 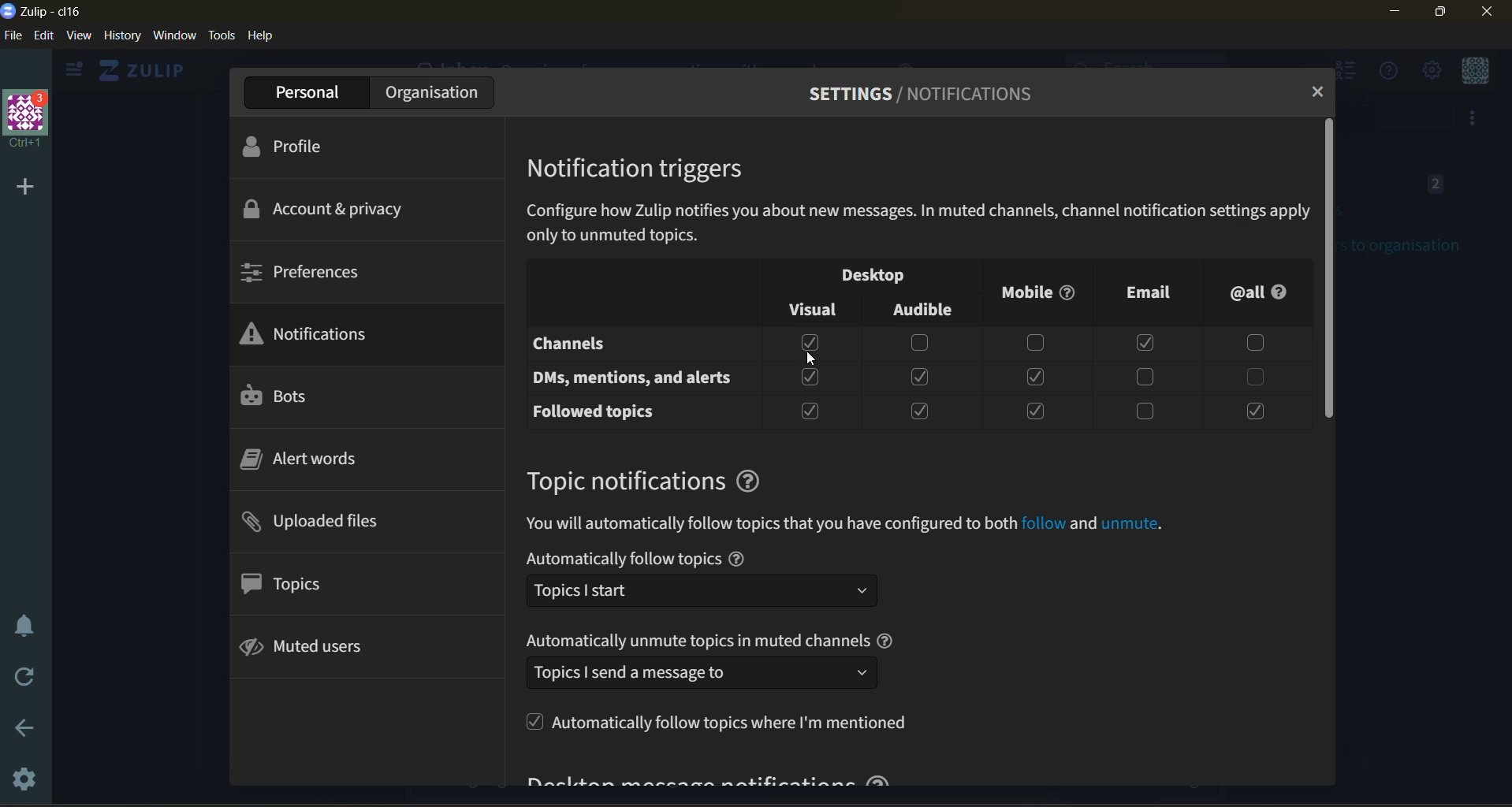 I want to click on topic notifications, so click(x=623, y=481).